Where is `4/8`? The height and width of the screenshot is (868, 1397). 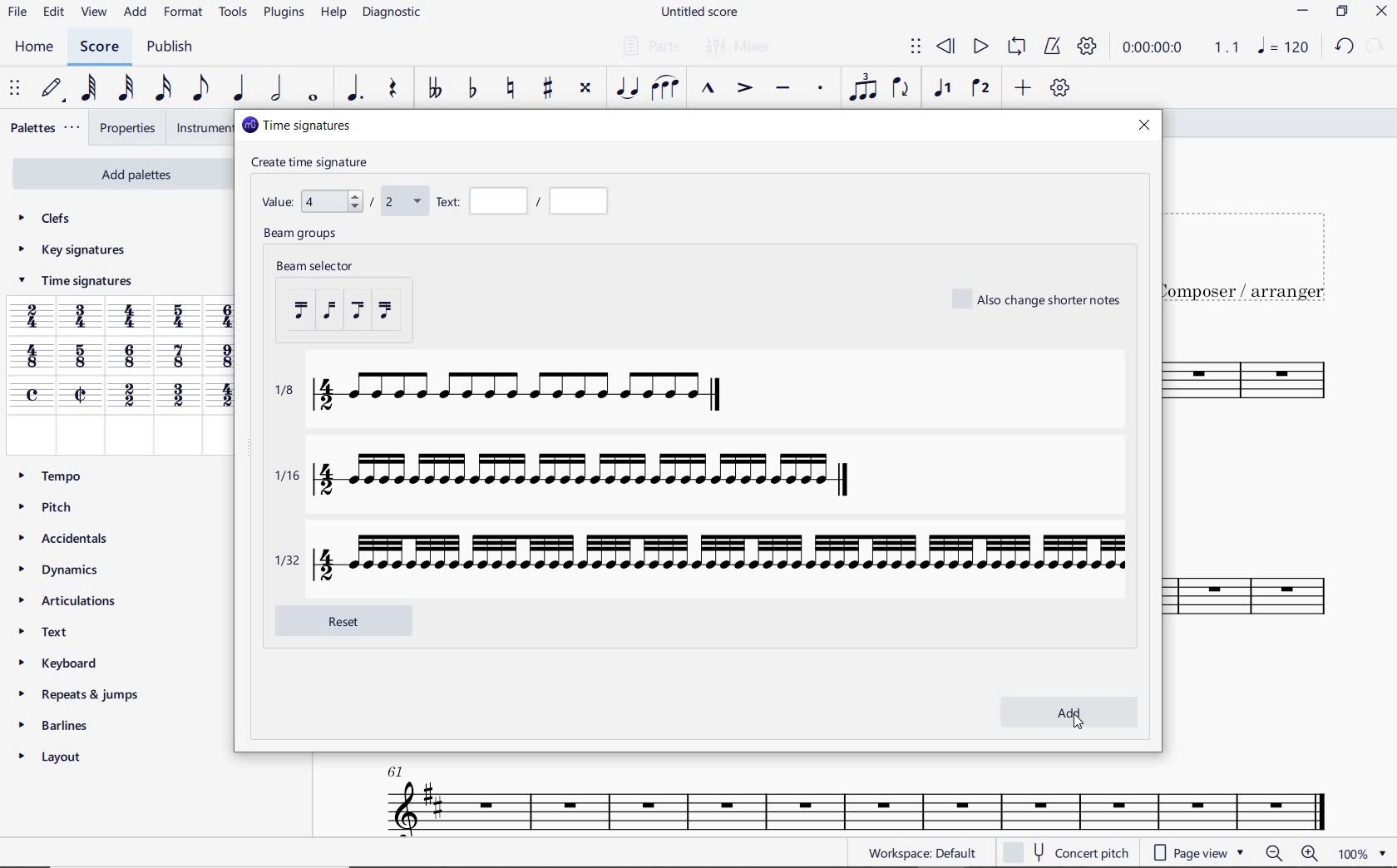
4/8 is located at coordinates (32, 358).